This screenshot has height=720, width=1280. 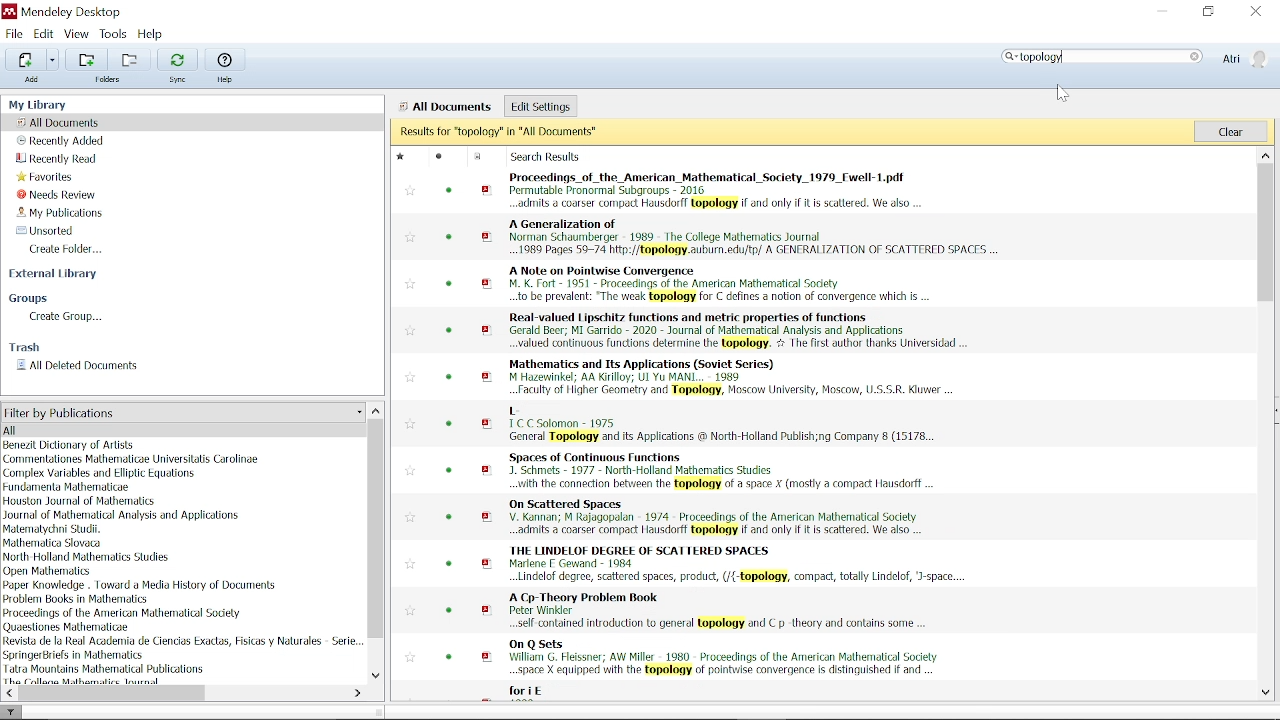 I want to click on Search result, so click(x=549, y=158).